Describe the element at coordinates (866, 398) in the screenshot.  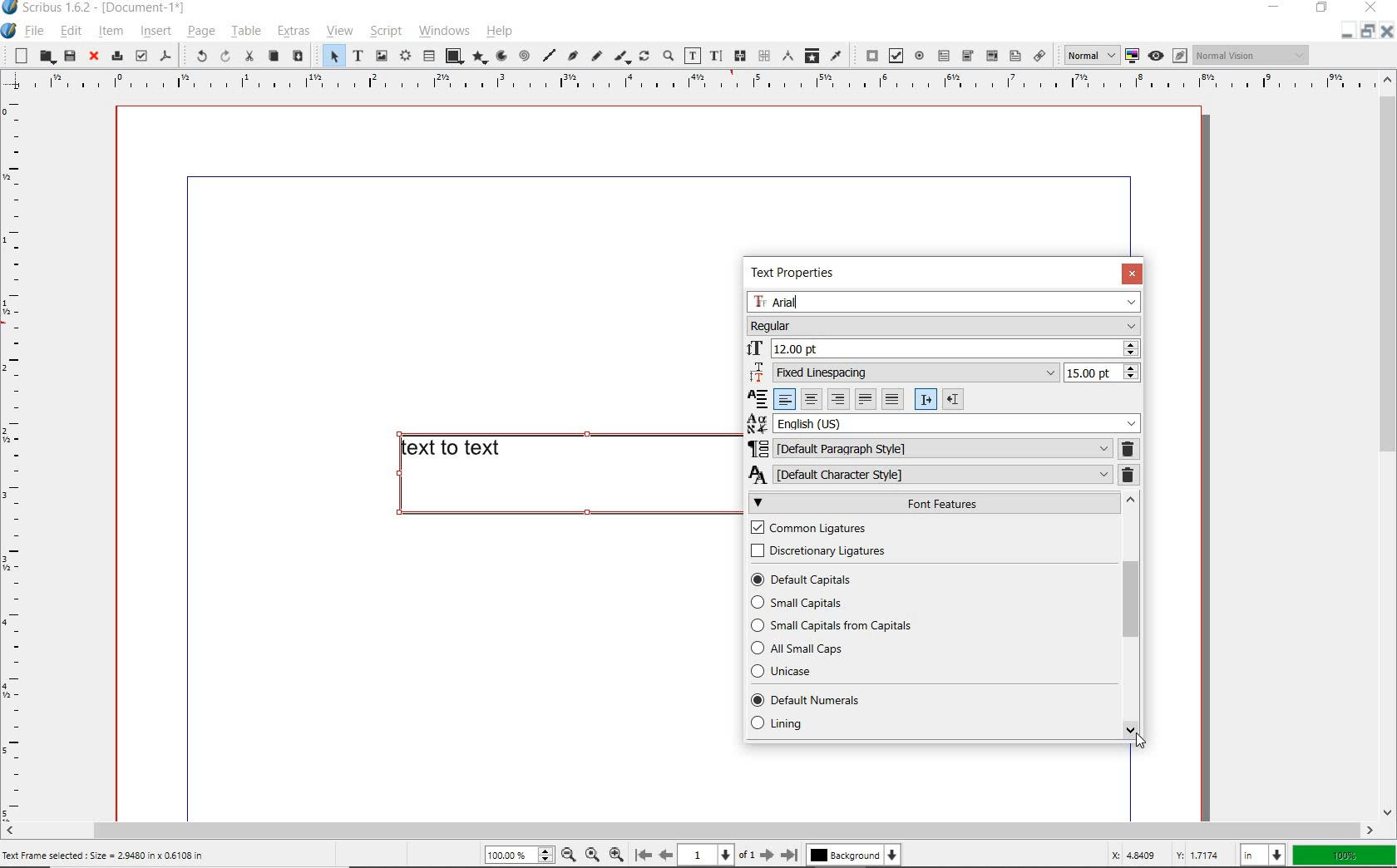
I see `Text justified` at that location.